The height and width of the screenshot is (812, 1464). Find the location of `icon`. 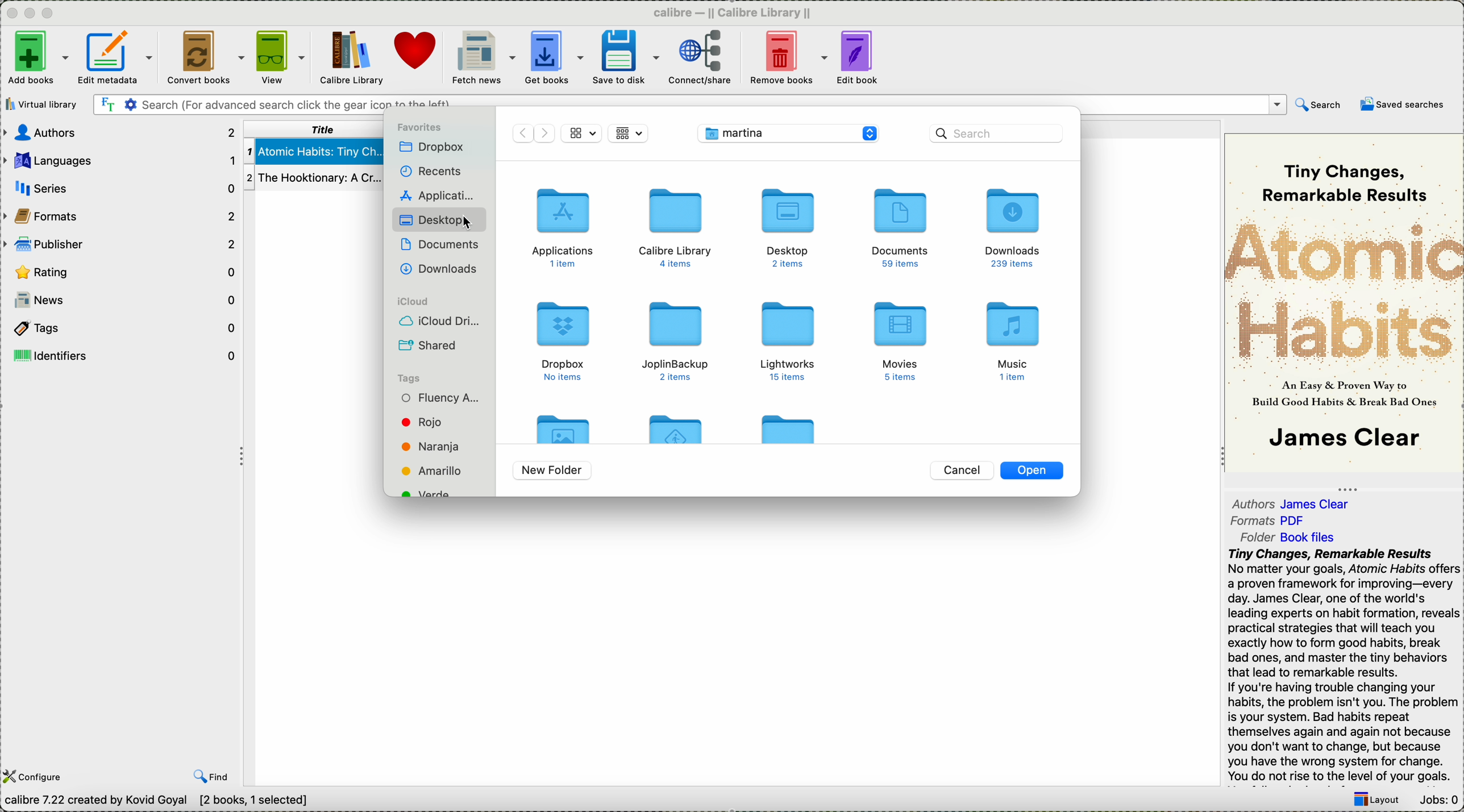

icon is located at coordinates (630, 132).